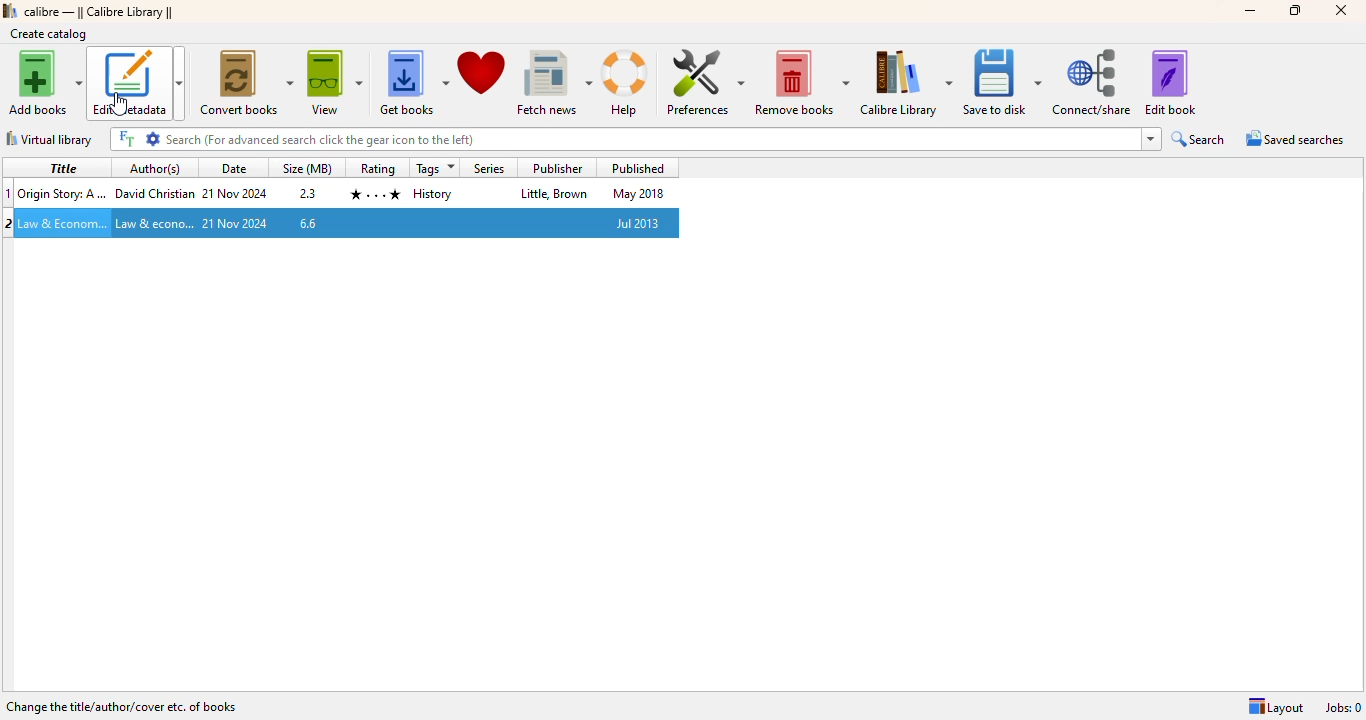 This screenshot has height=720, width=1366. Describe the element at coordinates (154, 191) in the screenshot. I see `Author` at that location.